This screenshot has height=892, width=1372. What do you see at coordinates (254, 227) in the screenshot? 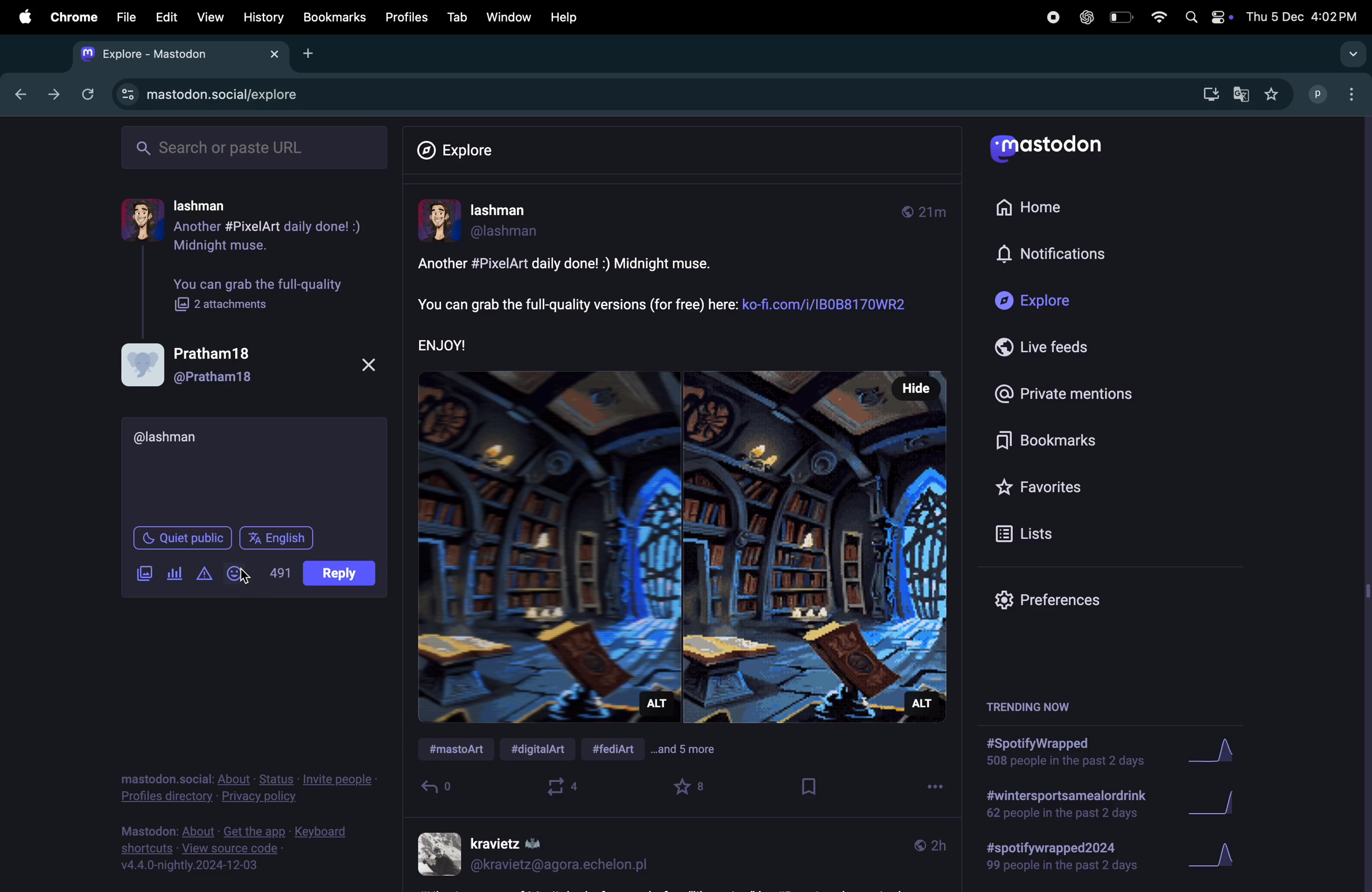
I see `user profile` at bounding box center [254, 227].